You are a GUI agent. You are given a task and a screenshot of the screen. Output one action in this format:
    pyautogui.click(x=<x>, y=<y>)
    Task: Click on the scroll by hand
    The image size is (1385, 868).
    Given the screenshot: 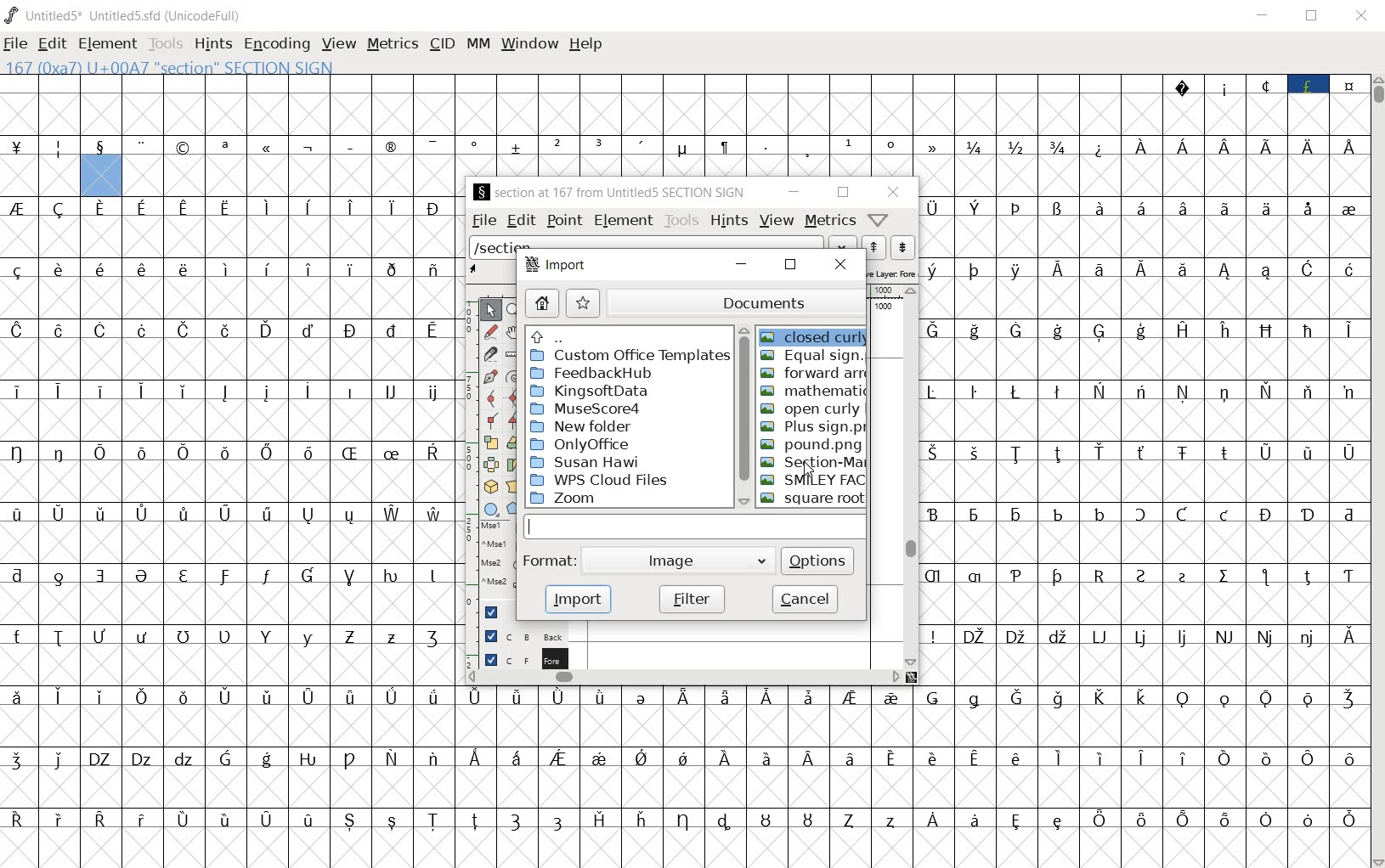 What is the action you would take?
    pyautogui.click(x=514, y=330)
    